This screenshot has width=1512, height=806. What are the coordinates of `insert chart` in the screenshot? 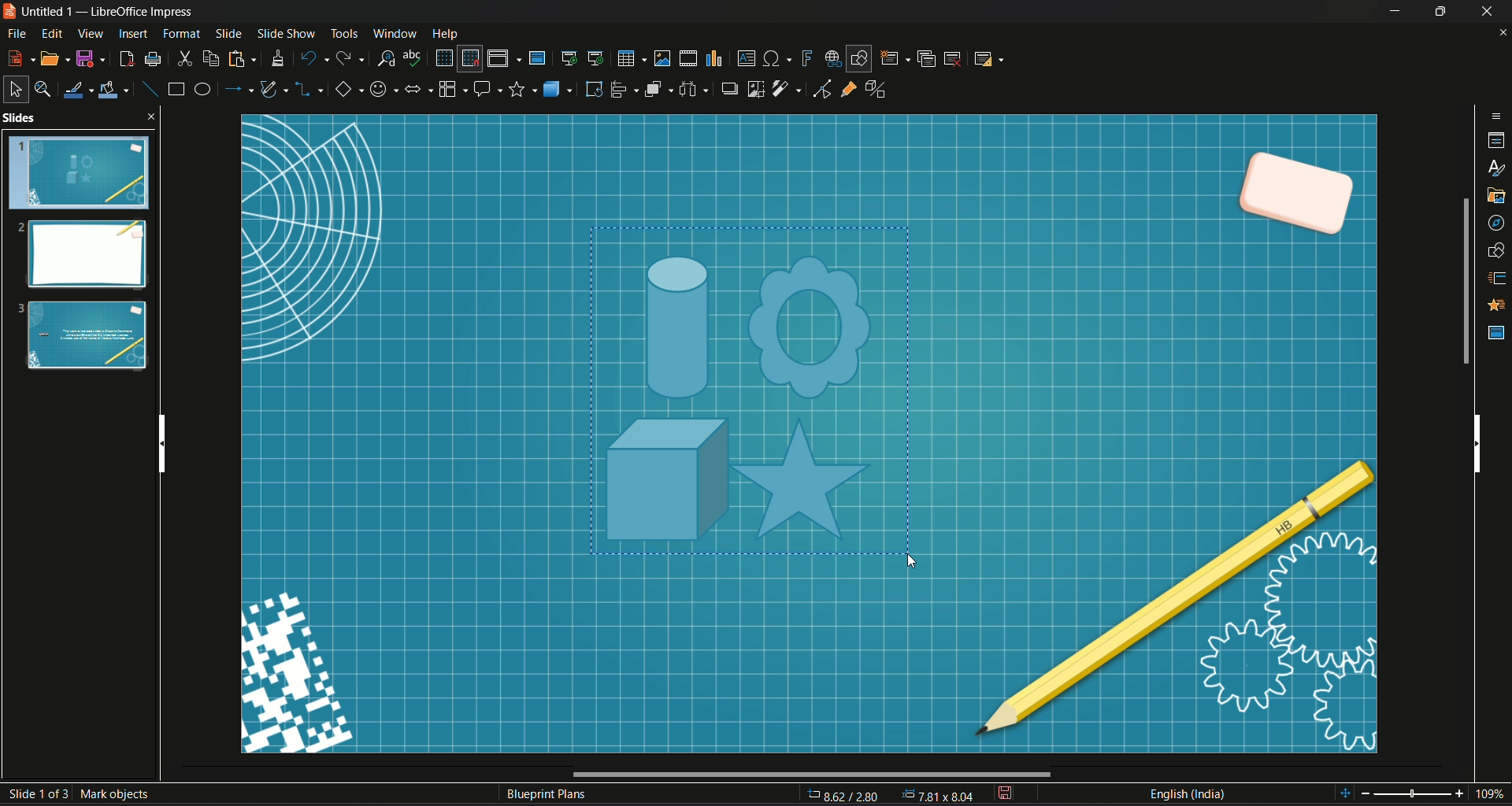 It's located at (713, 59).